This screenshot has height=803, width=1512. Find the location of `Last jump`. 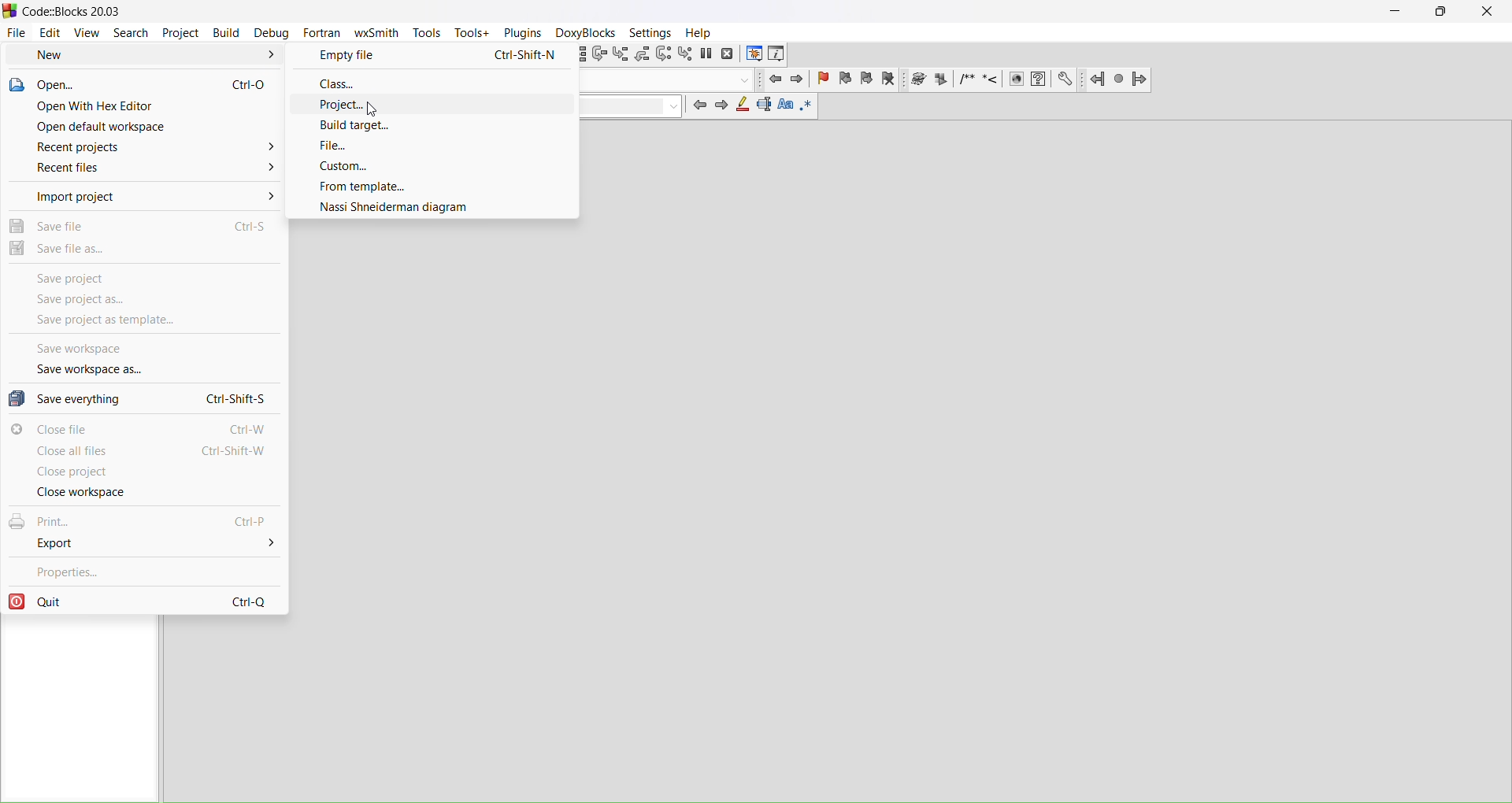

Last jump is located at coordinates (1119, 79).